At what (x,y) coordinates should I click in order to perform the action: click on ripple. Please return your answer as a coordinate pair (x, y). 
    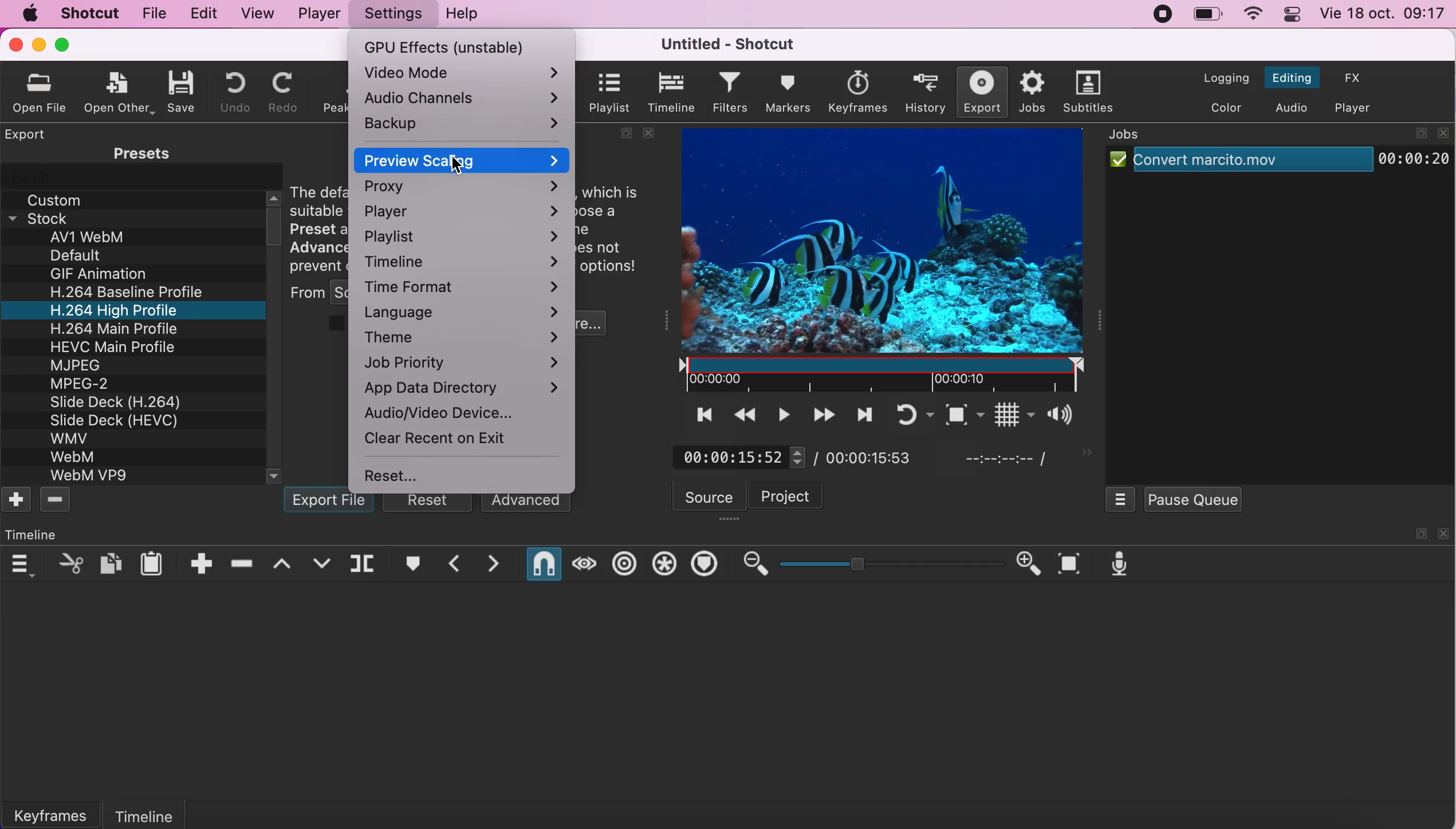
    Looking at the image, I should click on (625, 564).